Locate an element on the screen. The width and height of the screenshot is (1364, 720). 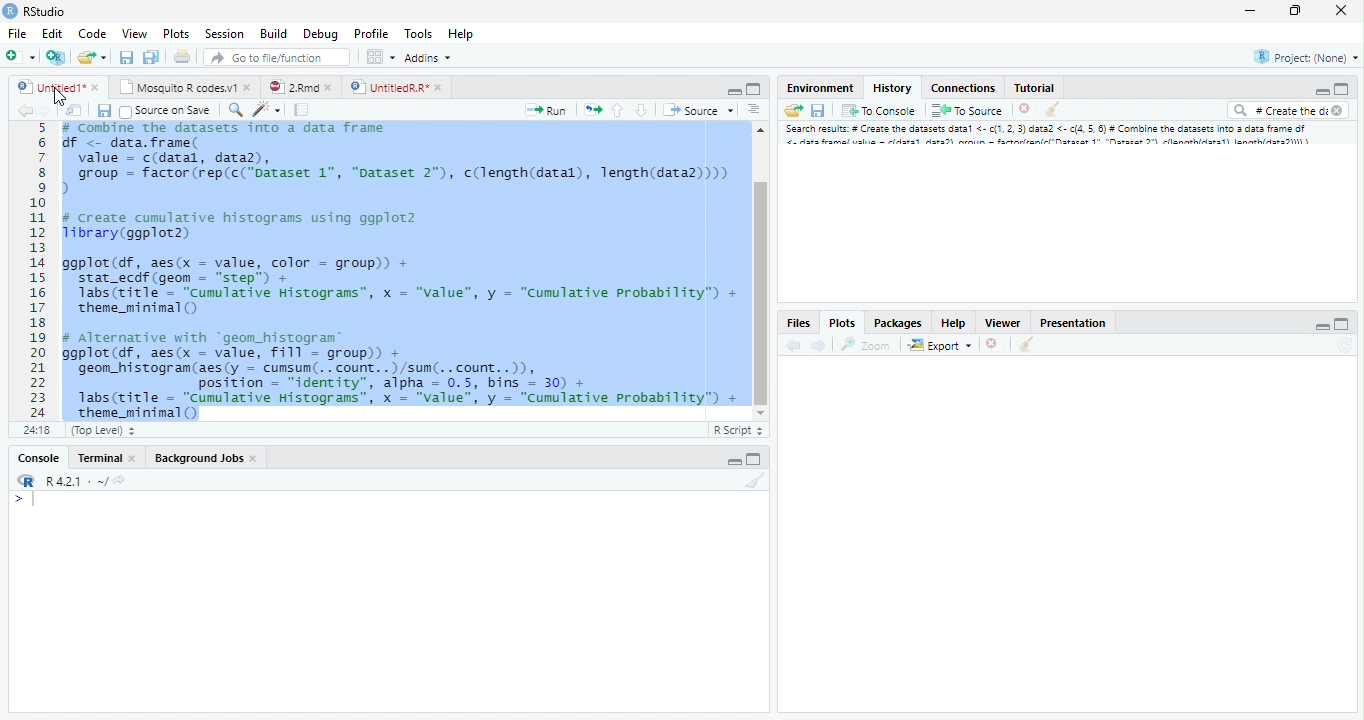
Minimize is located at coordinates (1321, 92).